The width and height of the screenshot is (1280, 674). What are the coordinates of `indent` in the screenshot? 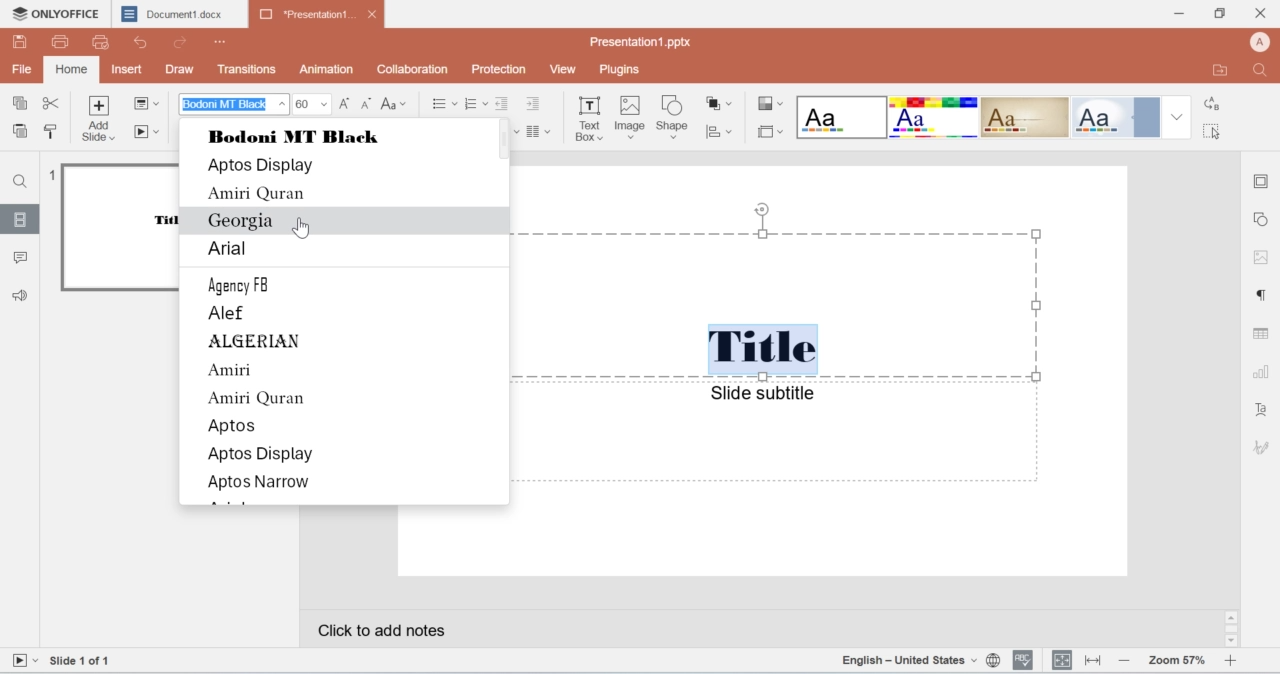 It's located at (504, 104).